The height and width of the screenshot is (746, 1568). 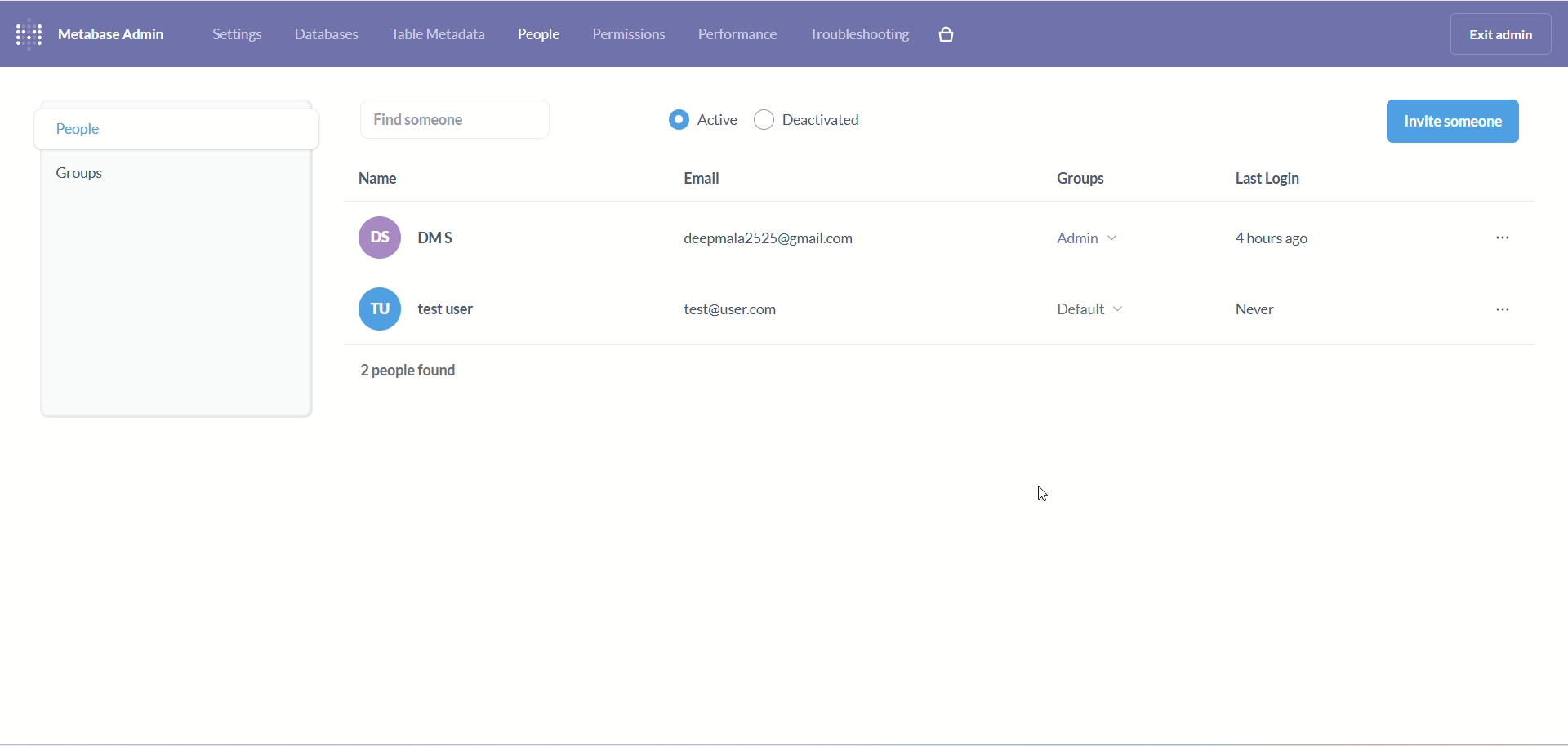 I want to click on find someone, so click(x=462, y=117).